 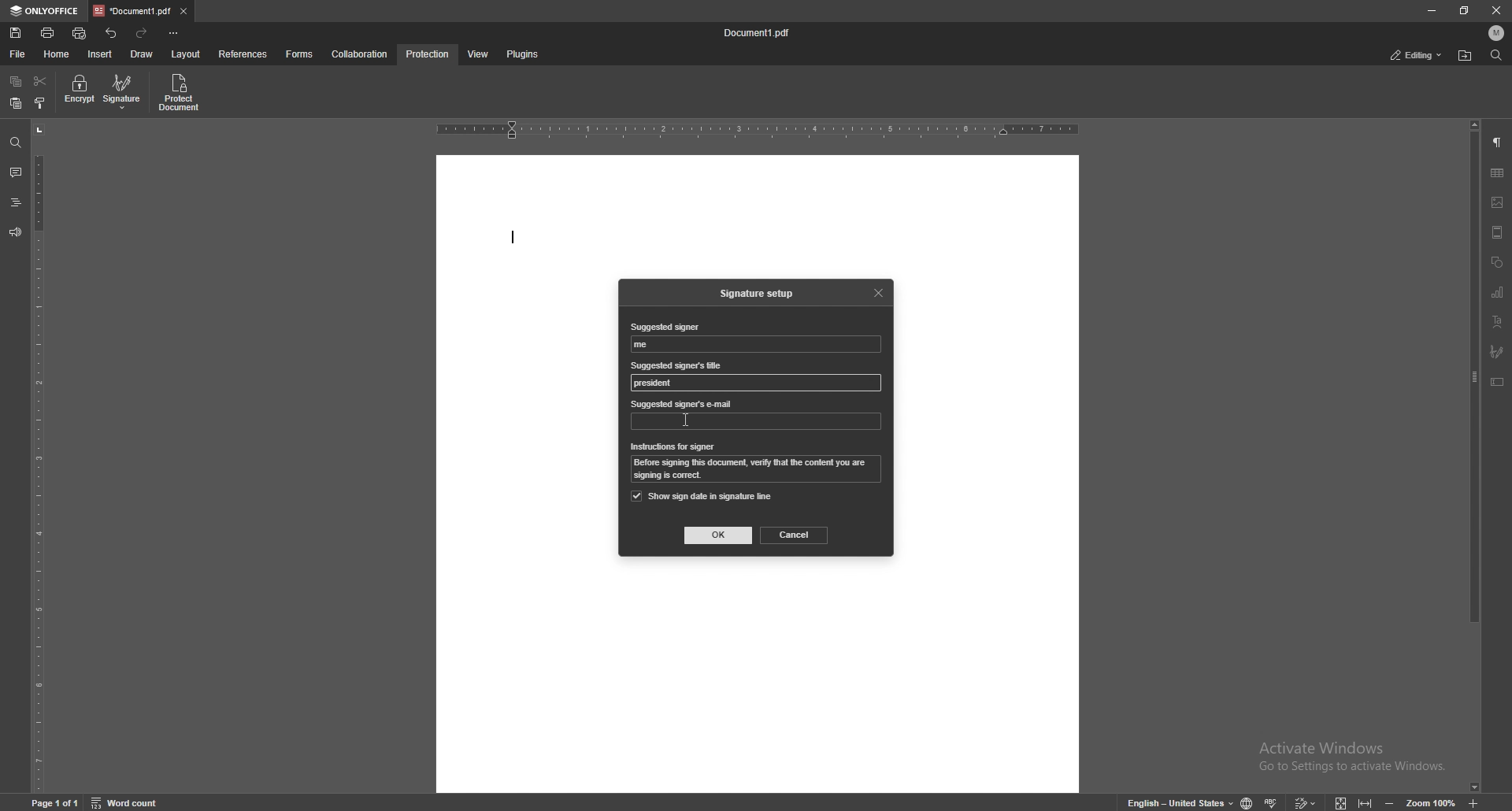 What do you see at coordinates (16, 143) in the screenshot?
I see `find` at bounding box center [16, 143].